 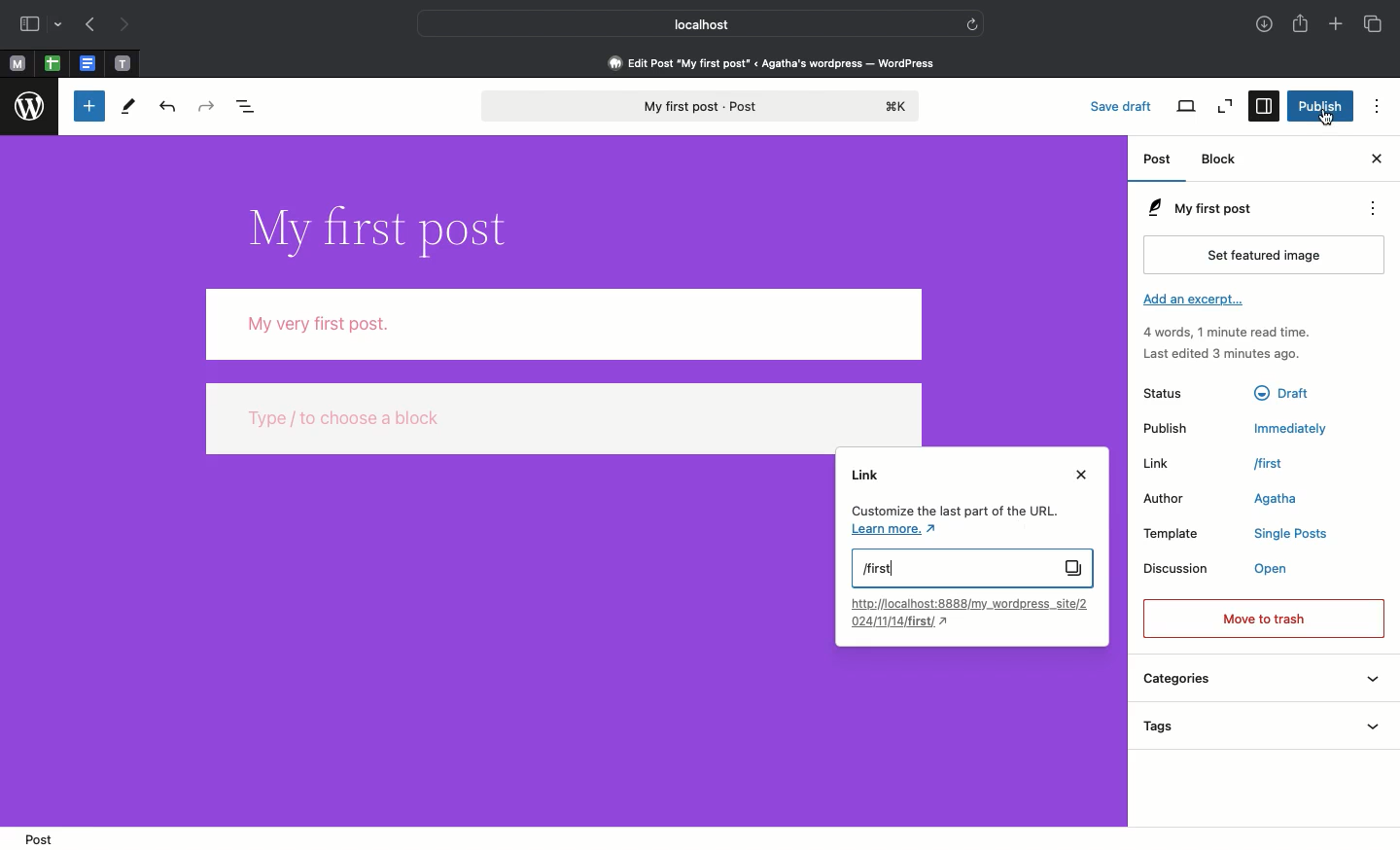 I want to click on Discussion, so click(x=1177, y=569).